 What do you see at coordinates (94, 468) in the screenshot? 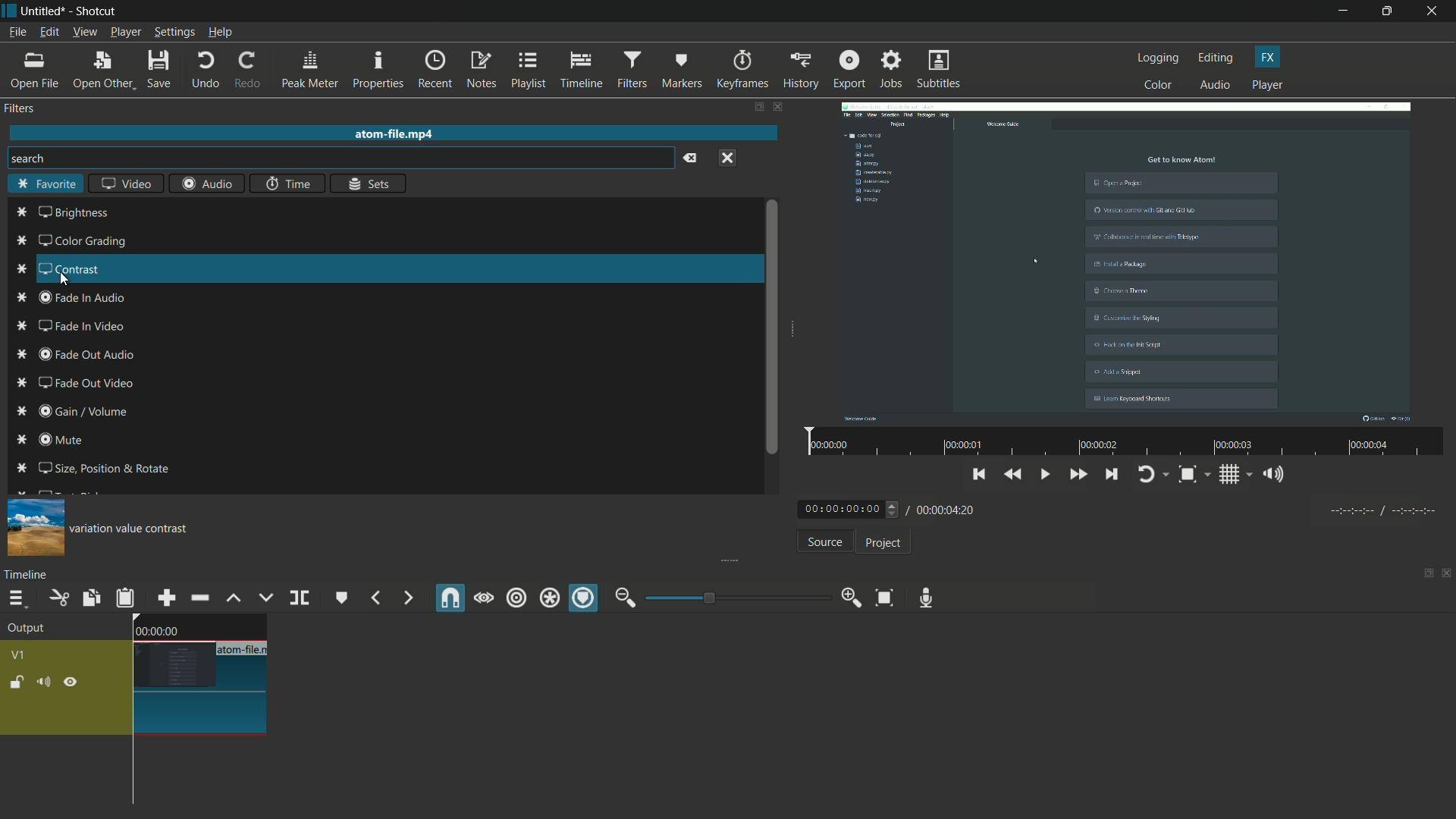
I see `size, position and rotate` at bounding box center [94, 468].